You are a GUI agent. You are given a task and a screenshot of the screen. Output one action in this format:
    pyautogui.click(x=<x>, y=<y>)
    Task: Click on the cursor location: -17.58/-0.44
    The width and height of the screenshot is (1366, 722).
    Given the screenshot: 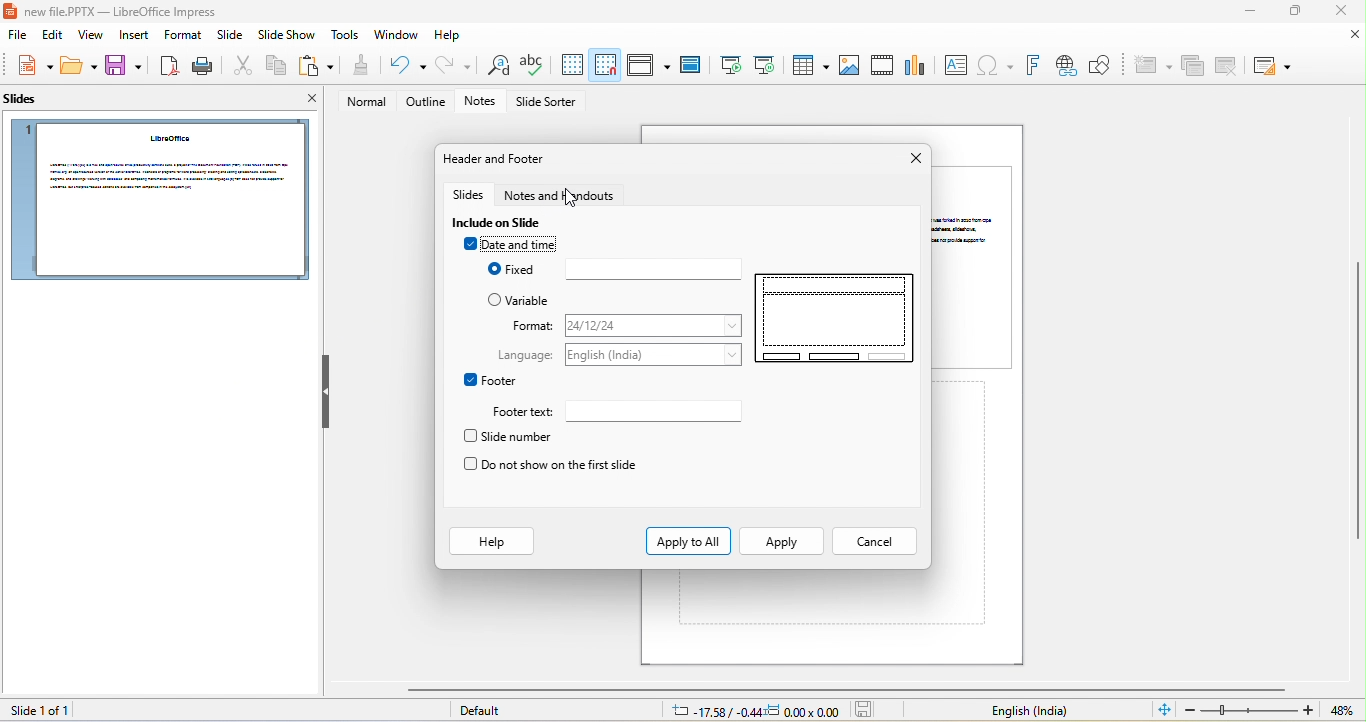 What is the action you would take?
    pyautogui.click(x=713, y=711)
    